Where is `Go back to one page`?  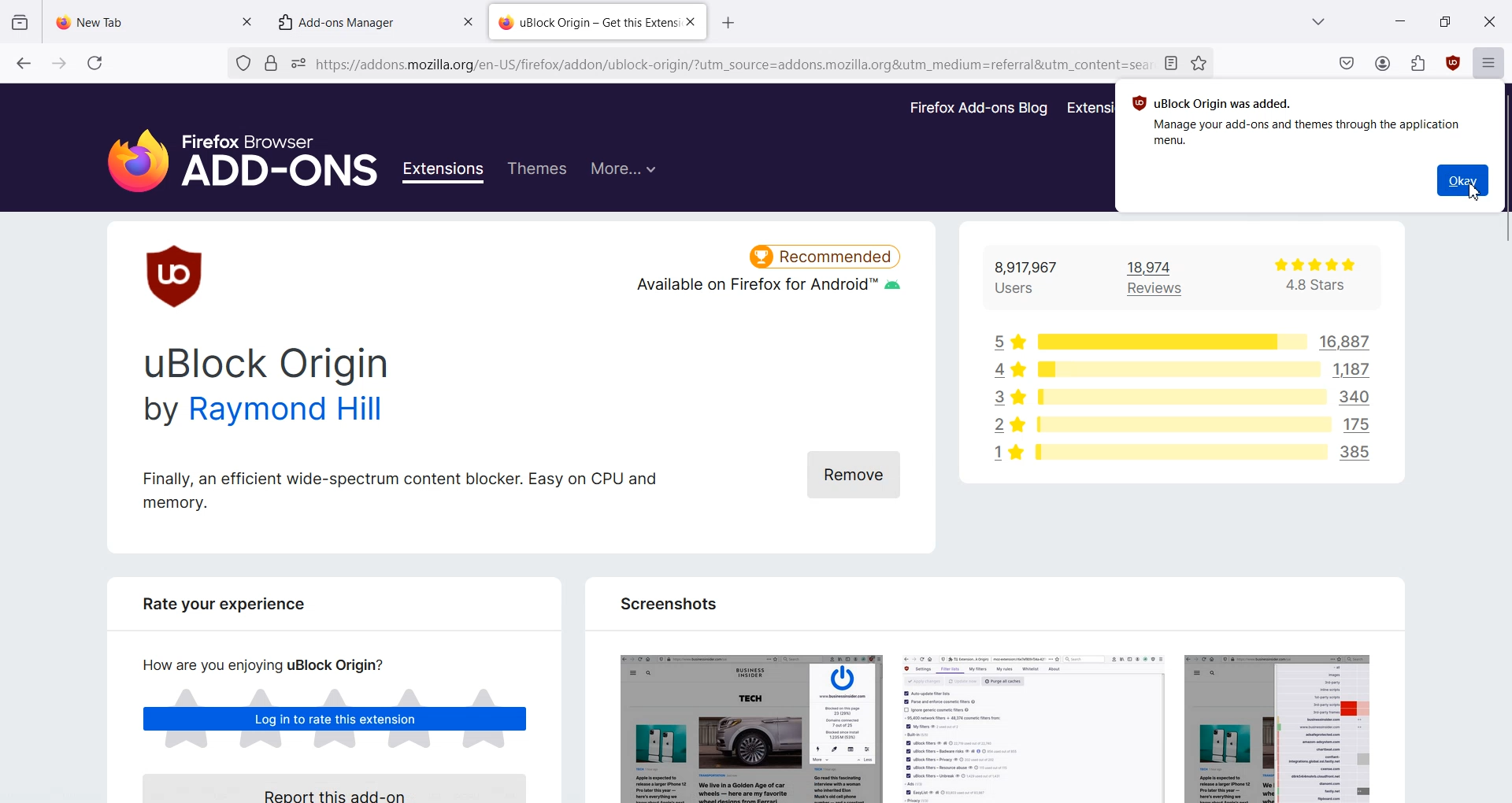
Go back to one page is located at coordinates (23, 62).